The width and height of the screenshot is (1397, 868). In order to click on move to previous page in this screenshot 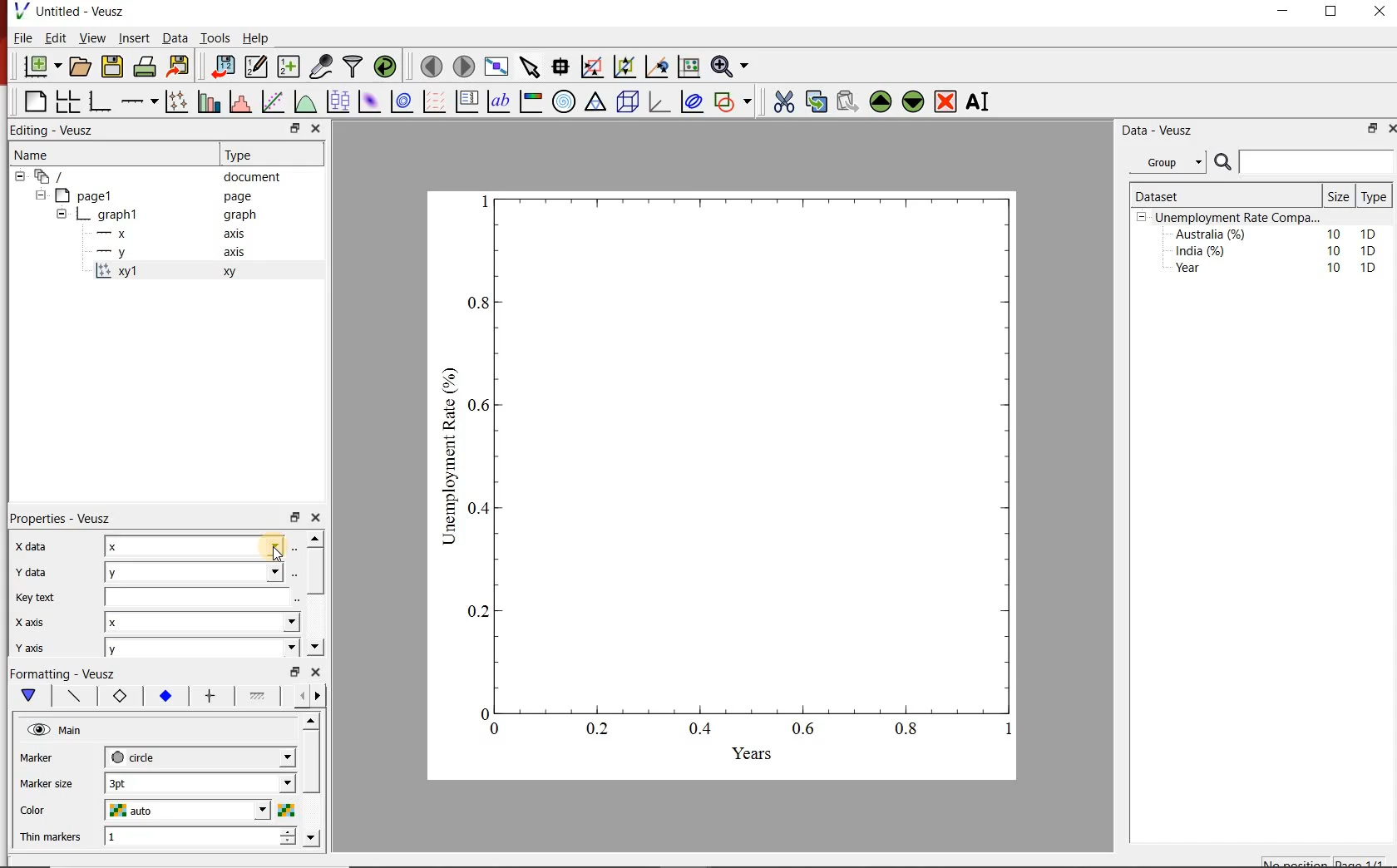, I will do `click(432, 65)`.